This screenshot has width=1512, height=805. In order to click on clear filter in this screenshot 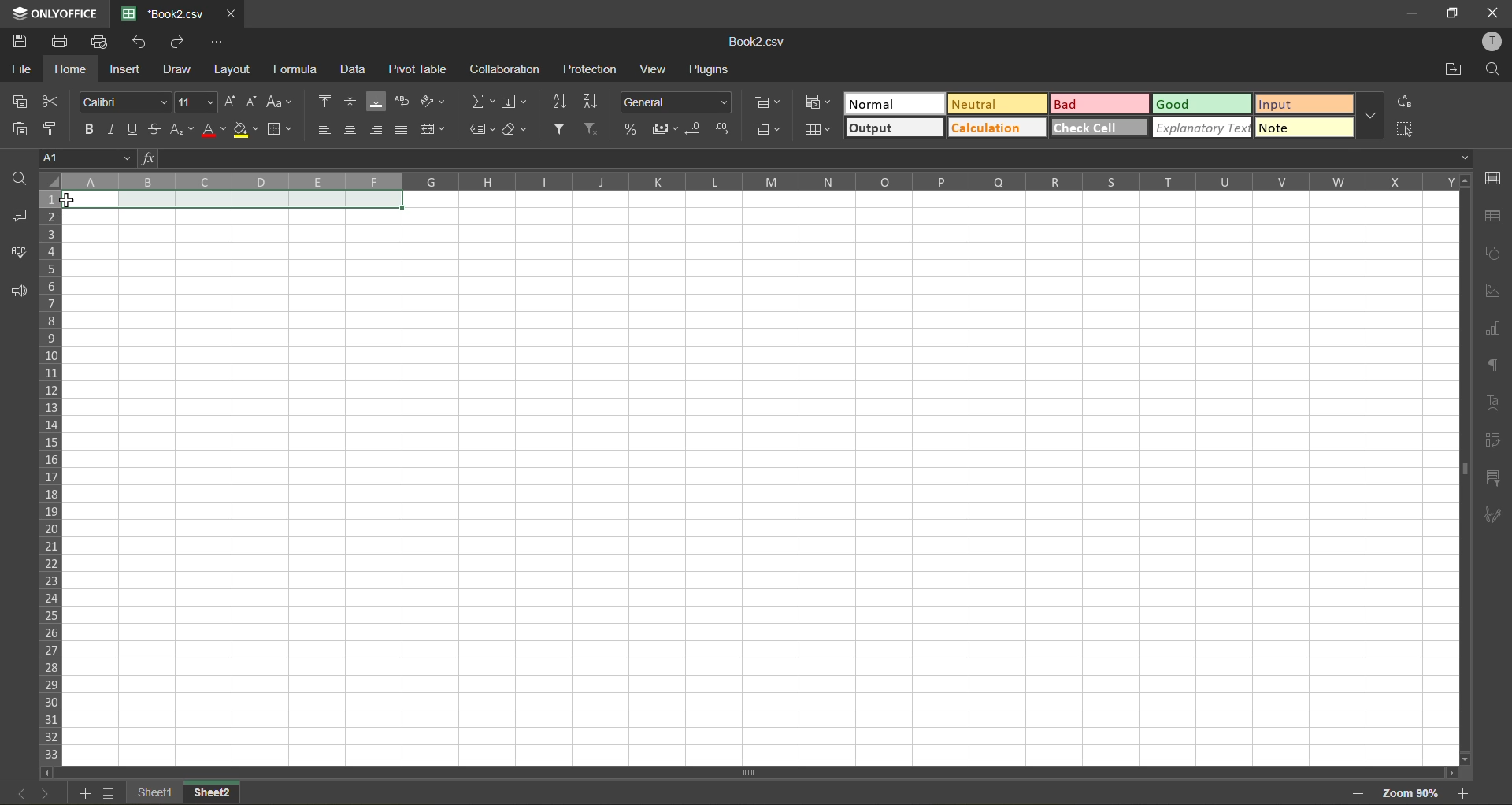, I will do `click(597, 131)`.